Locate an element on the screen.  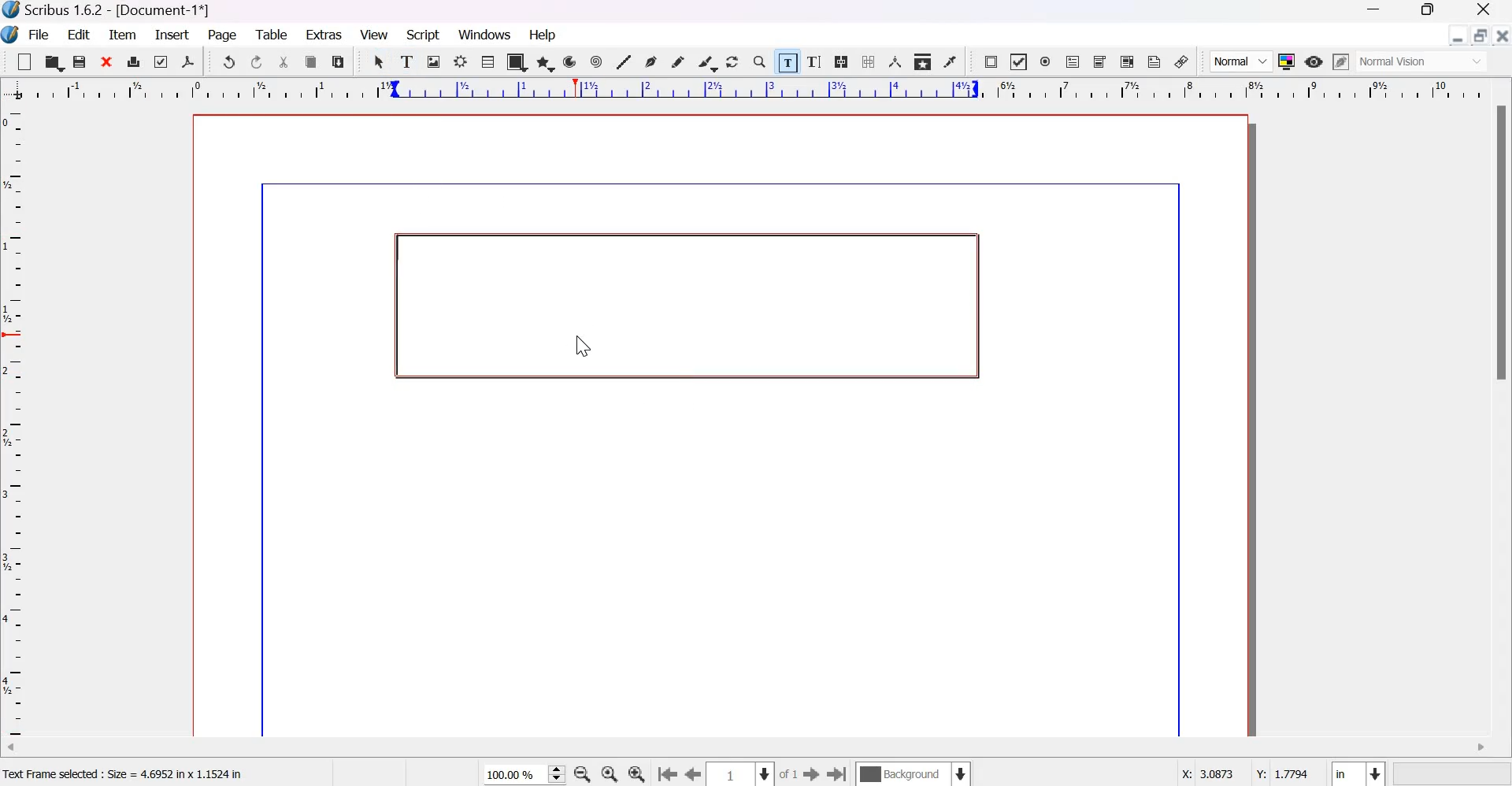
polygon is located at coordinates (547, 63).